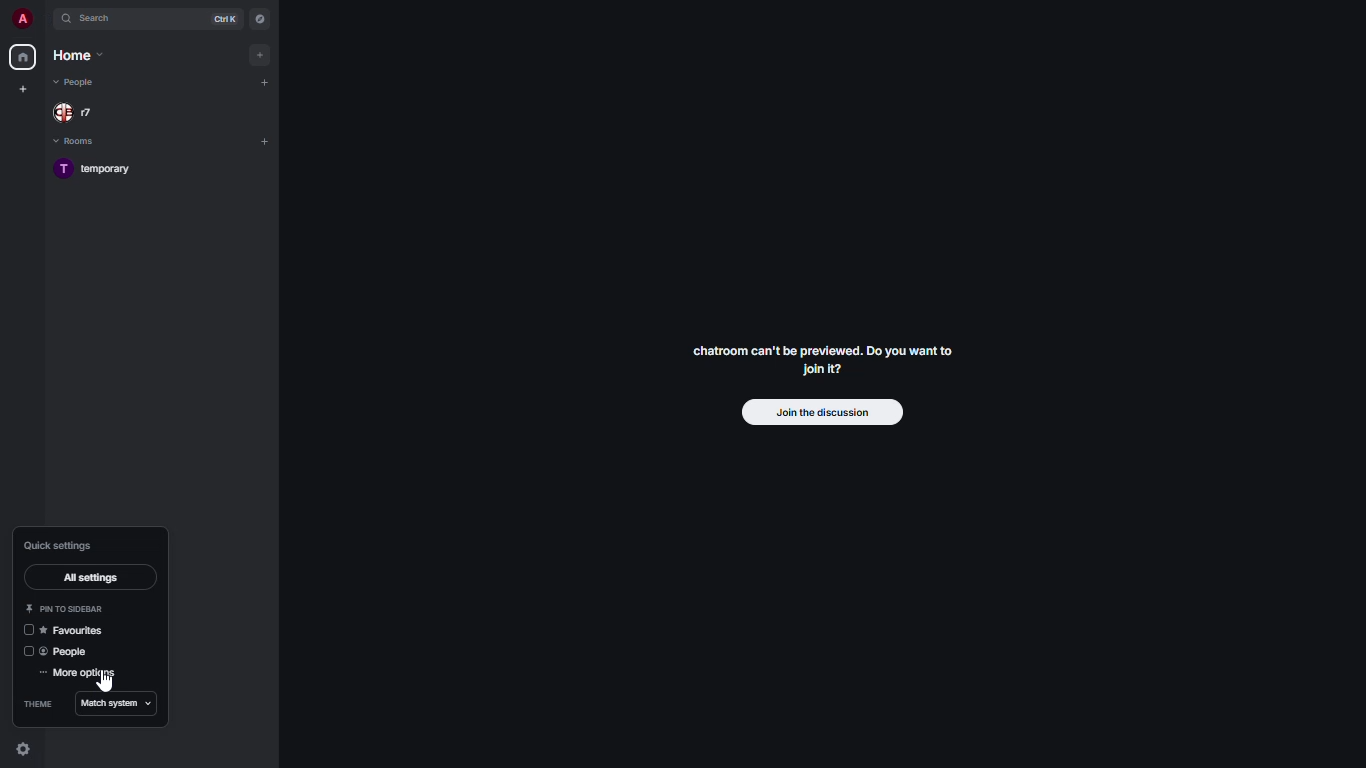 Image resolution: width=1366 pixels, height=768 pixels. I want to click on search, so click(96, 18).